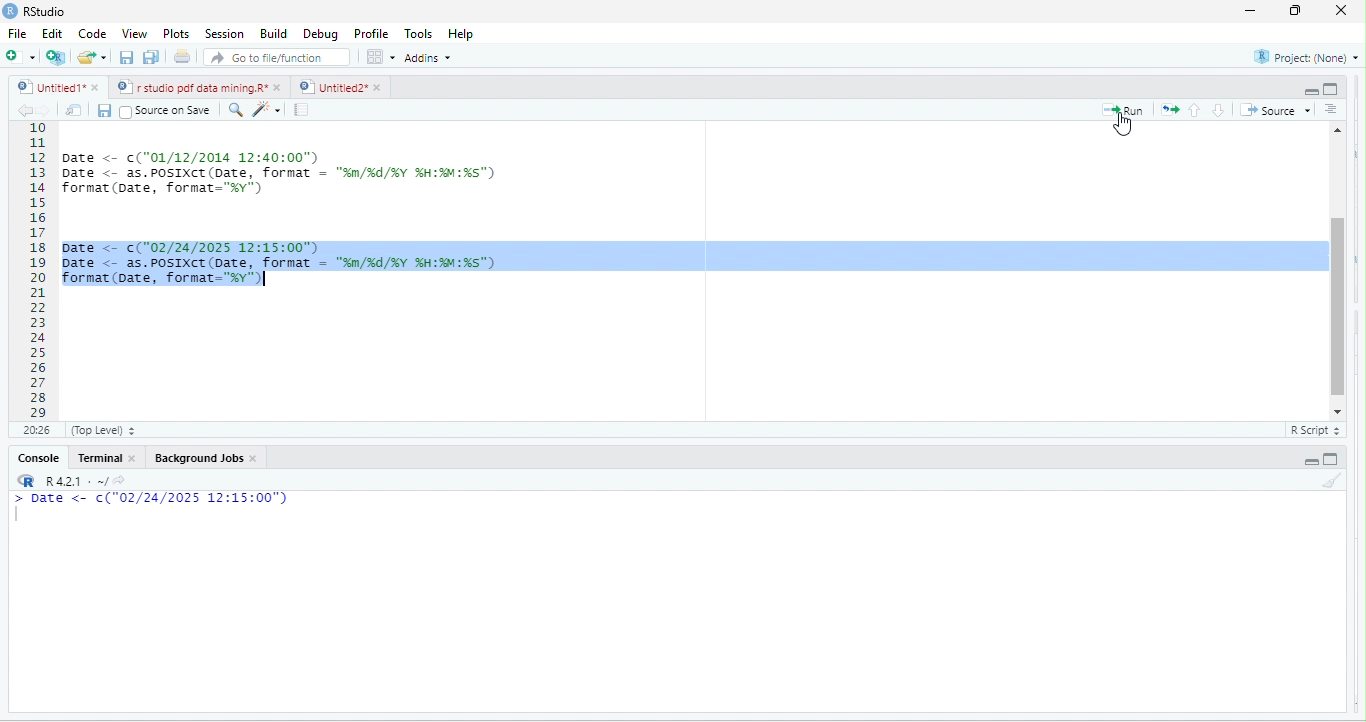  I want to click on show in new window, so click(76, 110).